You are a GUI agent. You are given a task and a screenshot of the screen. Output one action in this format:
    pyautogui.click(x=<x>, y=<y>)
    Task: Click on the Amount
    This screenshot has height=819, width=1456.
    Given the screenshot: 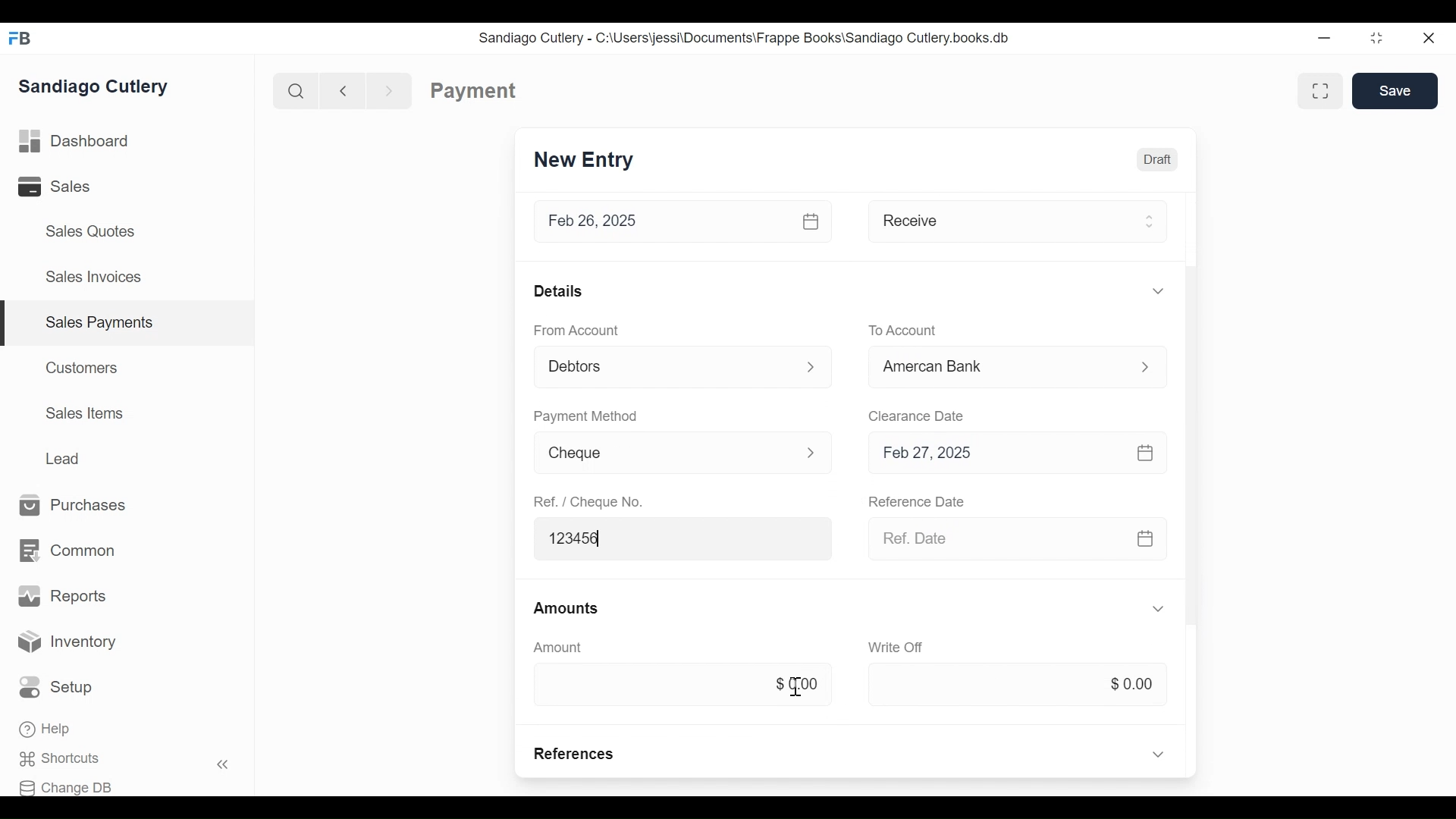 What is the action you would take?
    pyautogui.click(x=558, y=647)
    